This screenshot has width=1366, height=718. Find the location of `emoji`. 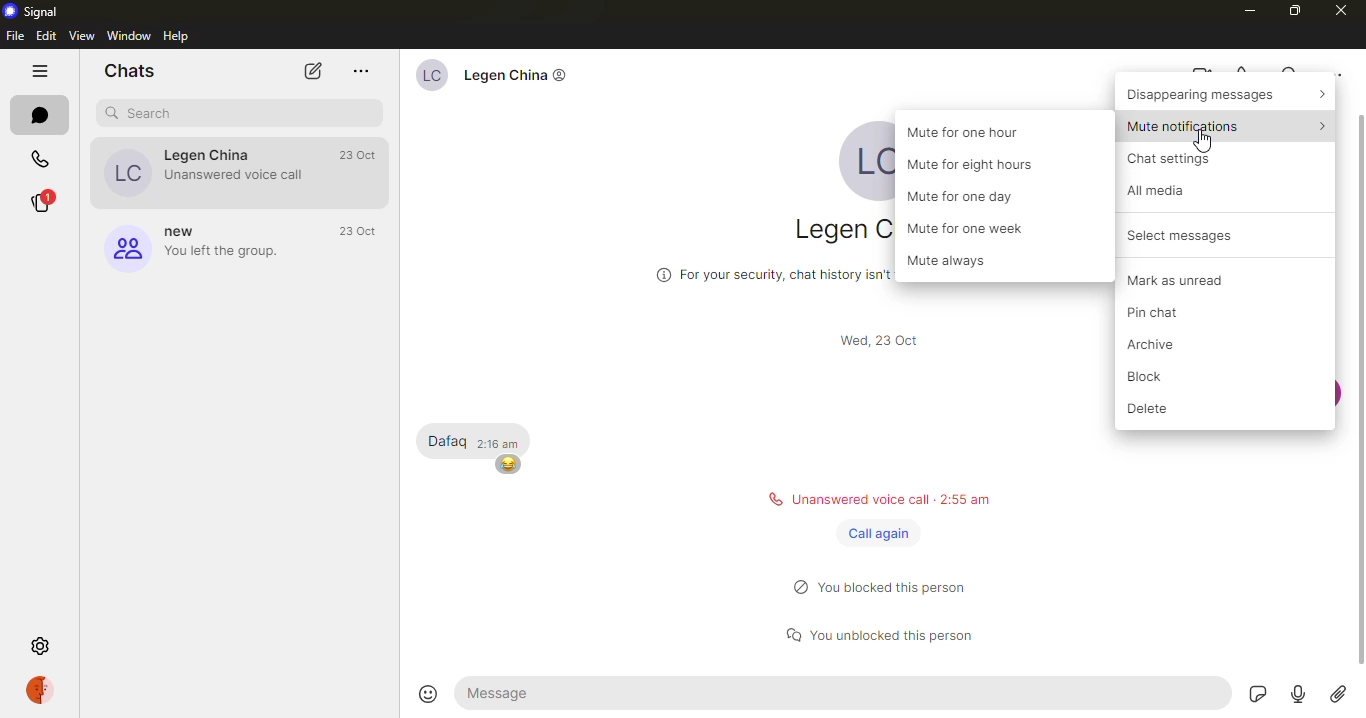

emoji is located at coordinates (430, 693).